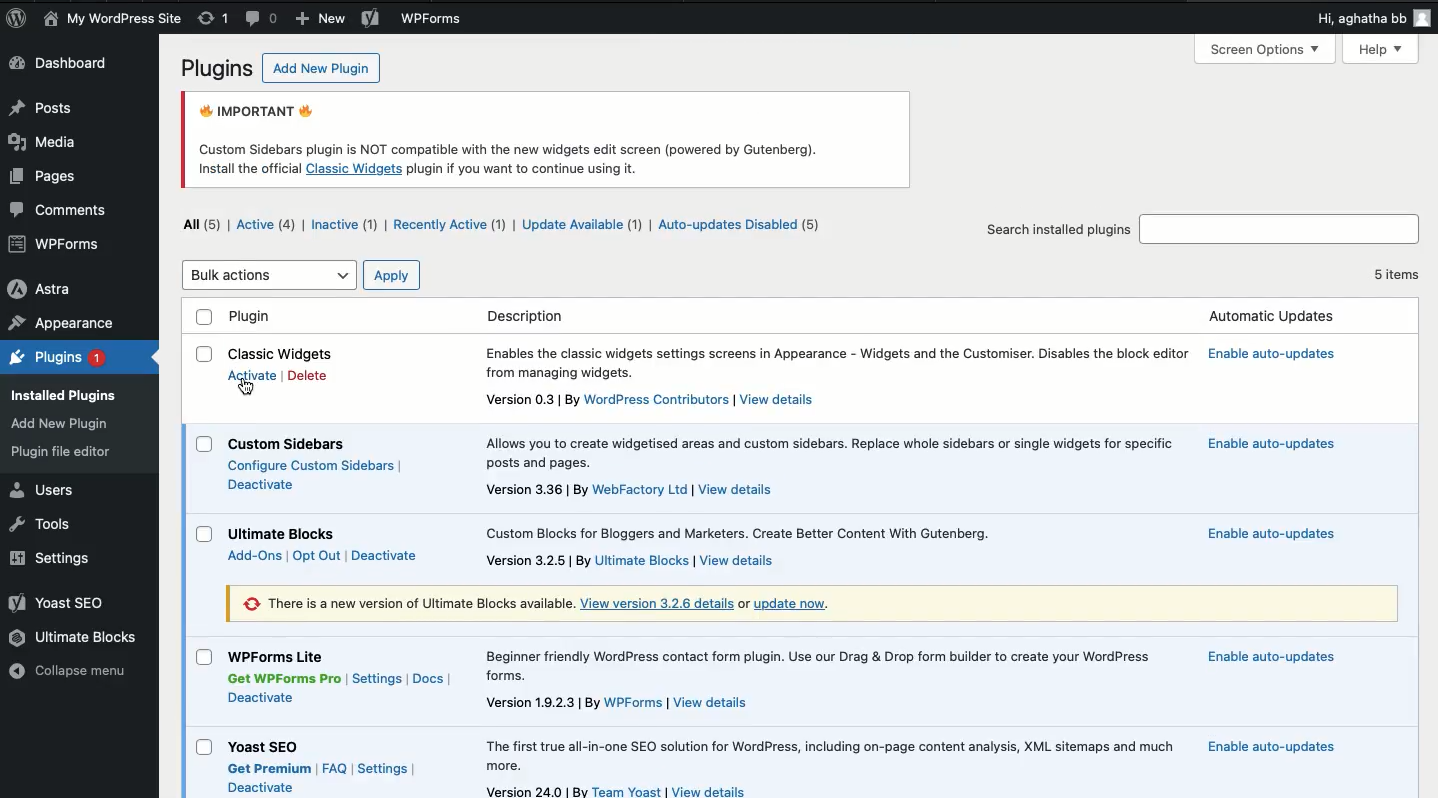 The width and height of the screenshot is (1438, 798). Describe the element at coordinates (800, 604) in the screenshot. I see `update now` at that location.